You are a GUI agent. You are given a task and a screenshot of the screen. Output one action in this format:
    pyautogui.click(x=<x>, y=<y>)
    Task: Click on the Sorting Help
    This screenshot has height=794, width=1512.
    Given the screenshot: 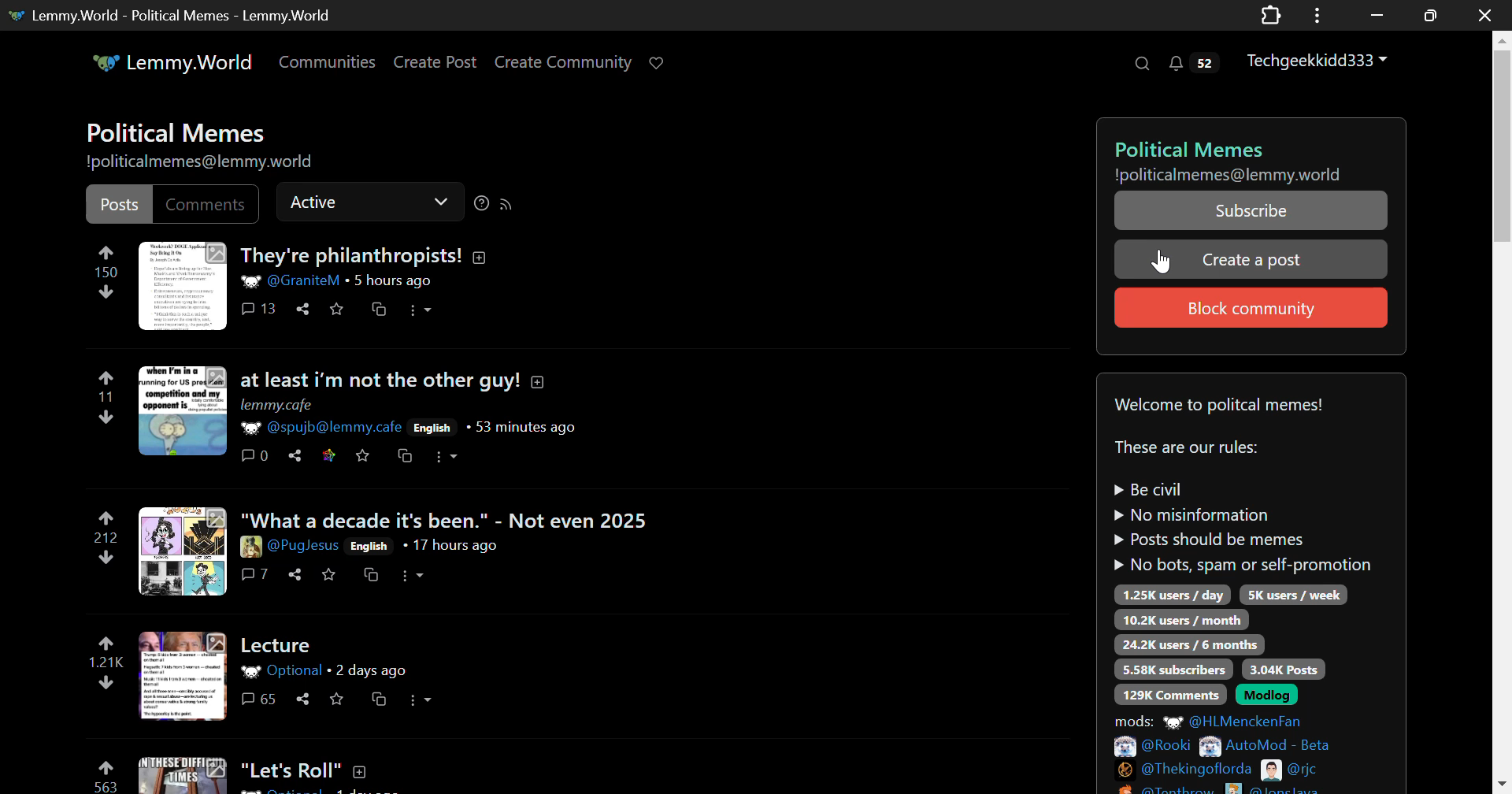 What is the action you would take?
    pyautogui.click(x=479, y=202)
    